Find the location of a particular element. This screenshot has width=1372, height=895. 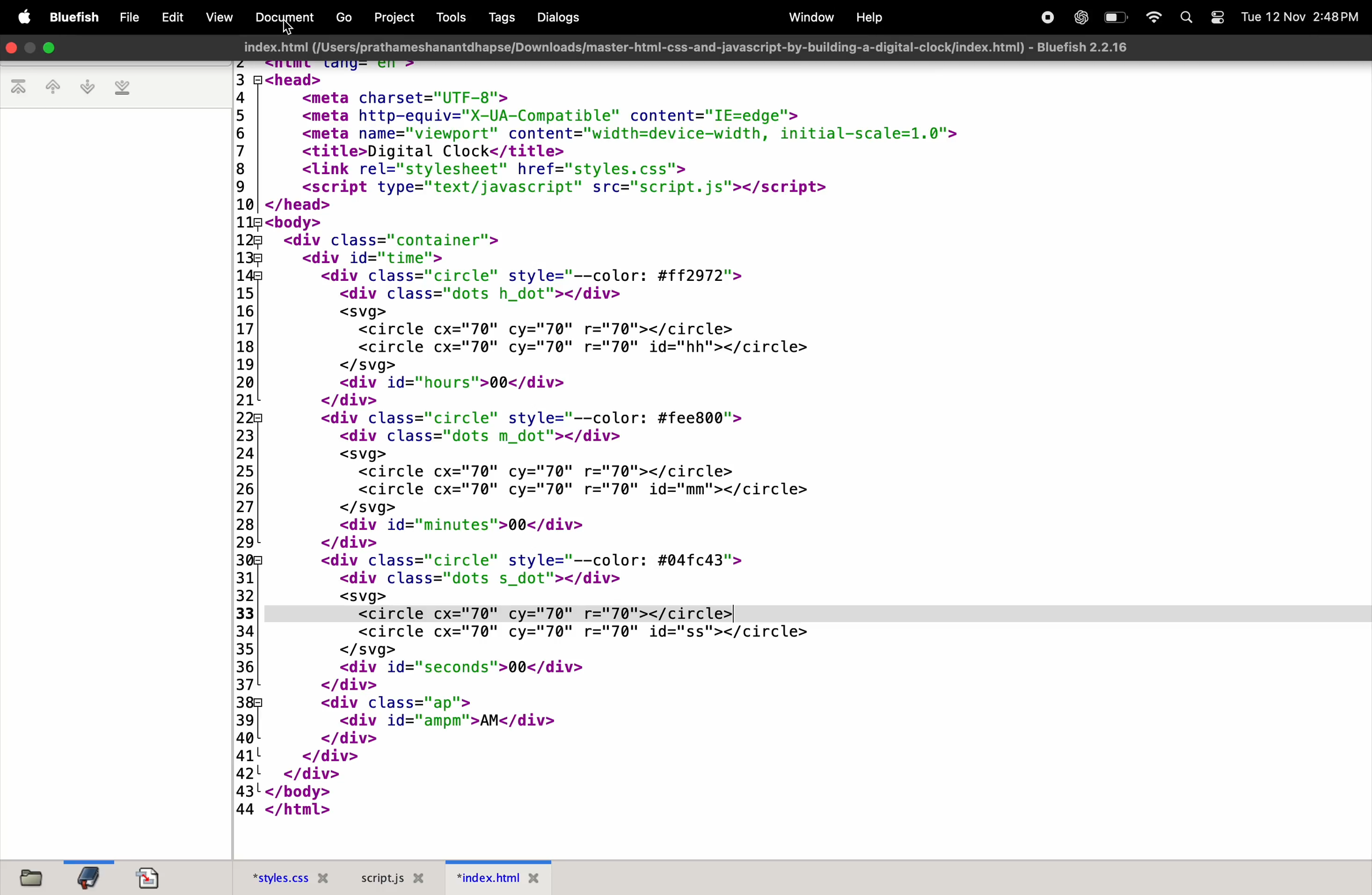

maximize is located at coordinates (30, 49).